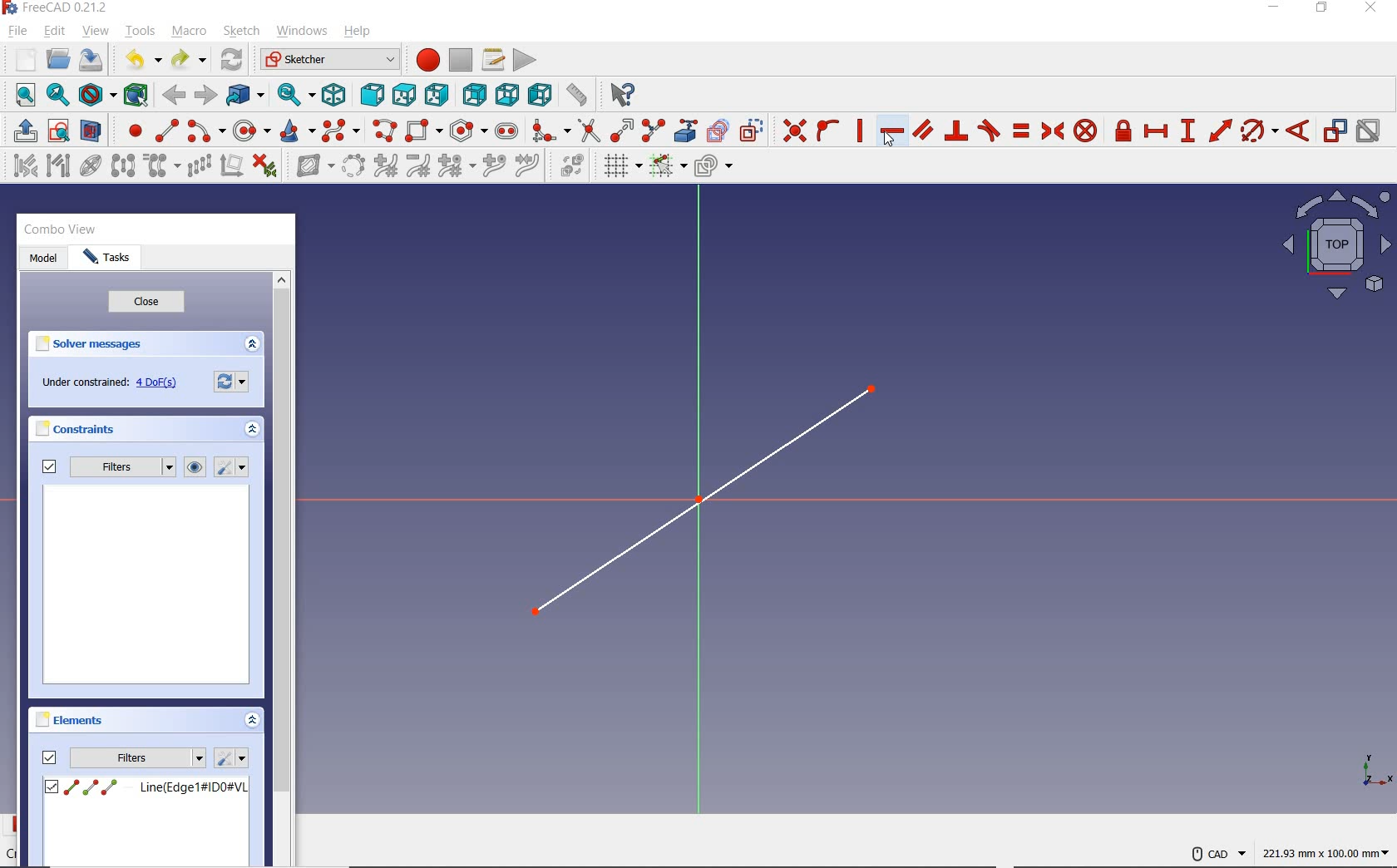 Image resolution: width=1397 pixels, height=868 pixels. I want to click on SHOW/HIDE LISTED CONSTRAINTS, so click(195, 467).